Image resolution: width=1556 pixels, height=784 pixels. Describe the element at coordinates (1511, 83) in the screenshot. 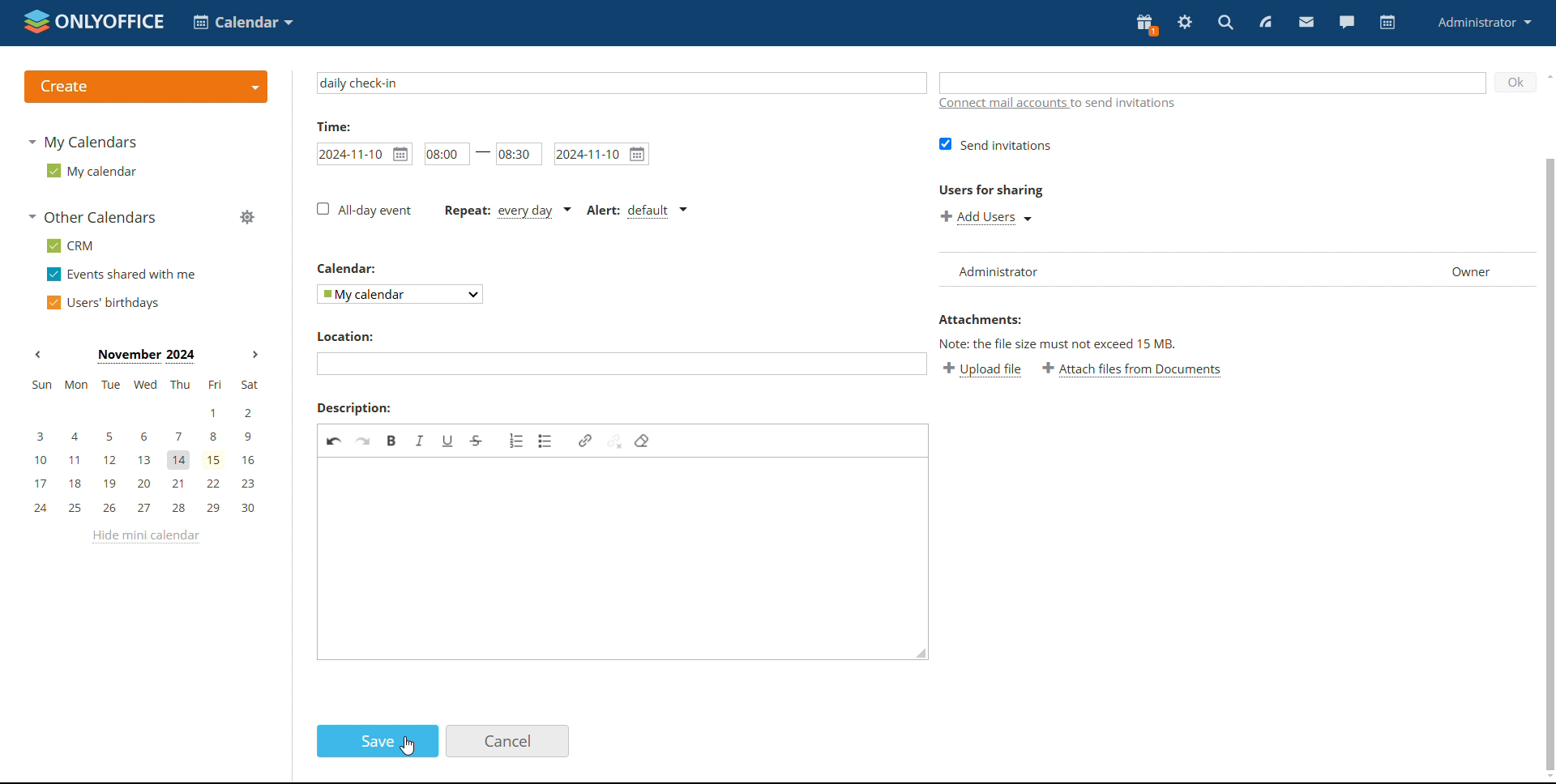

I see `ok` at that location.